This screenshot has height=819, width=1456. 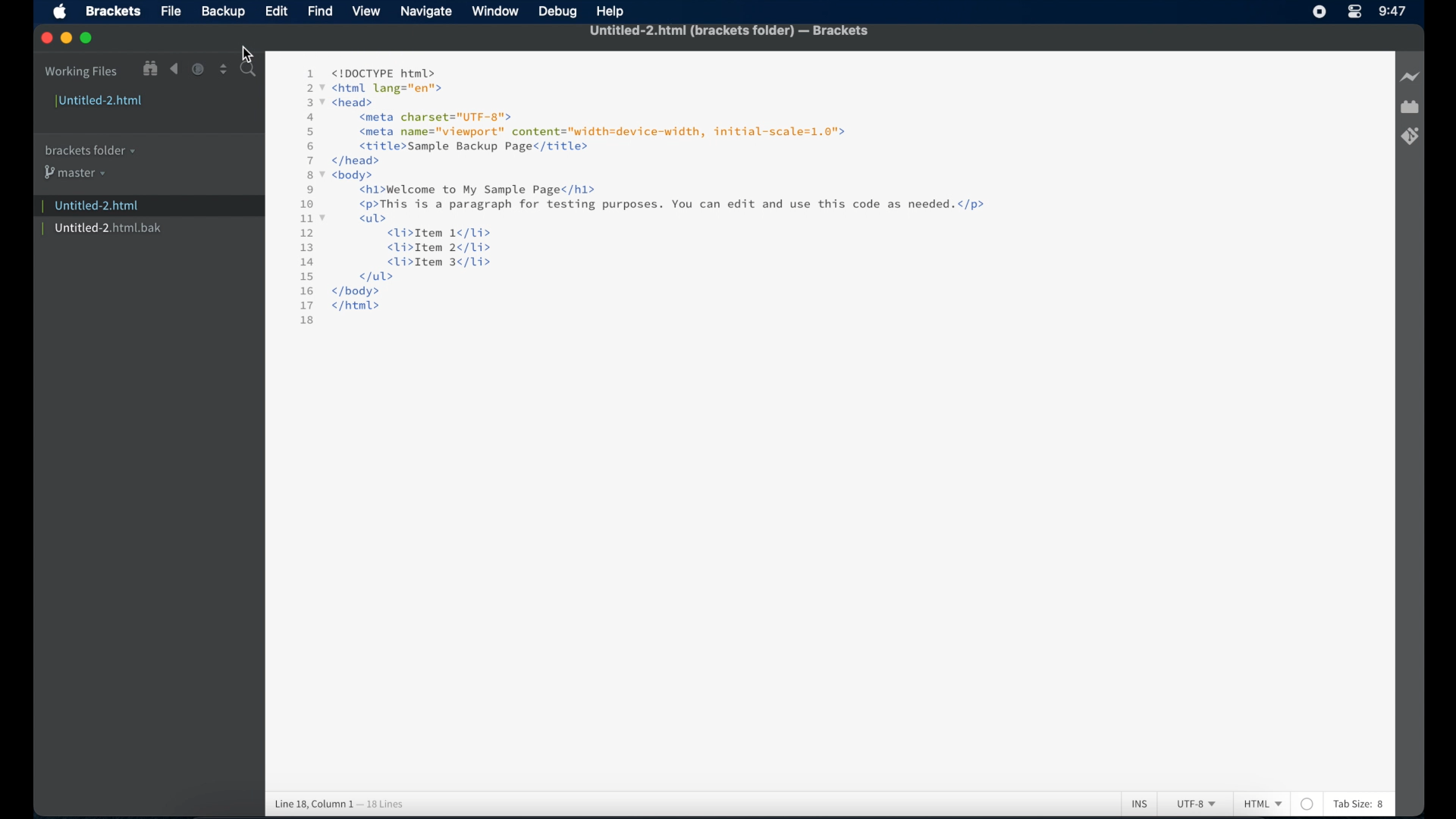 What do you see at coordinates (174, 69) in the screenshot?
I see `navigate backward` at bounding box center [174, 69].